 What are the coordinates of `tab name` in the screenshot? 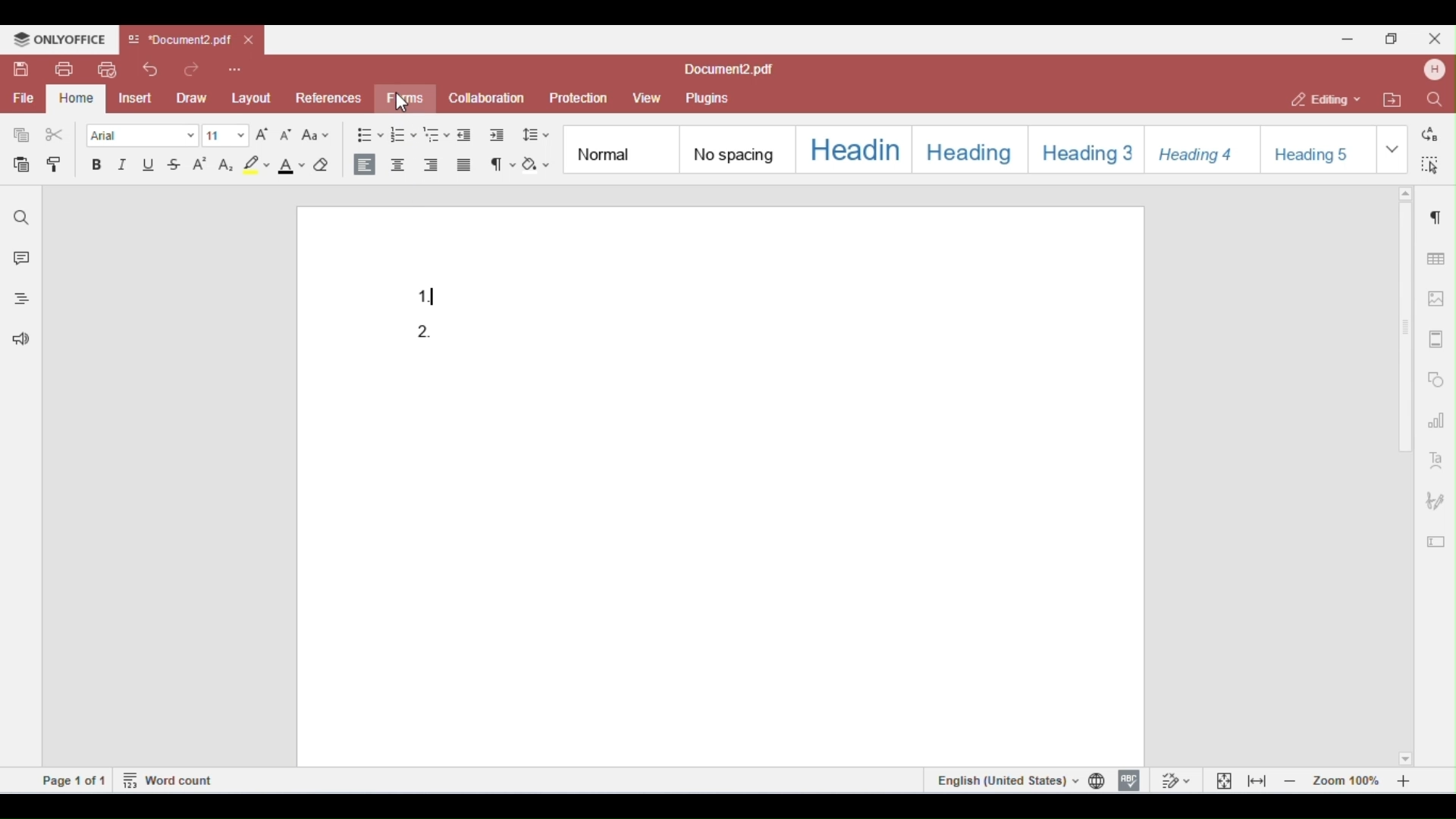 It's located at (179, 40).